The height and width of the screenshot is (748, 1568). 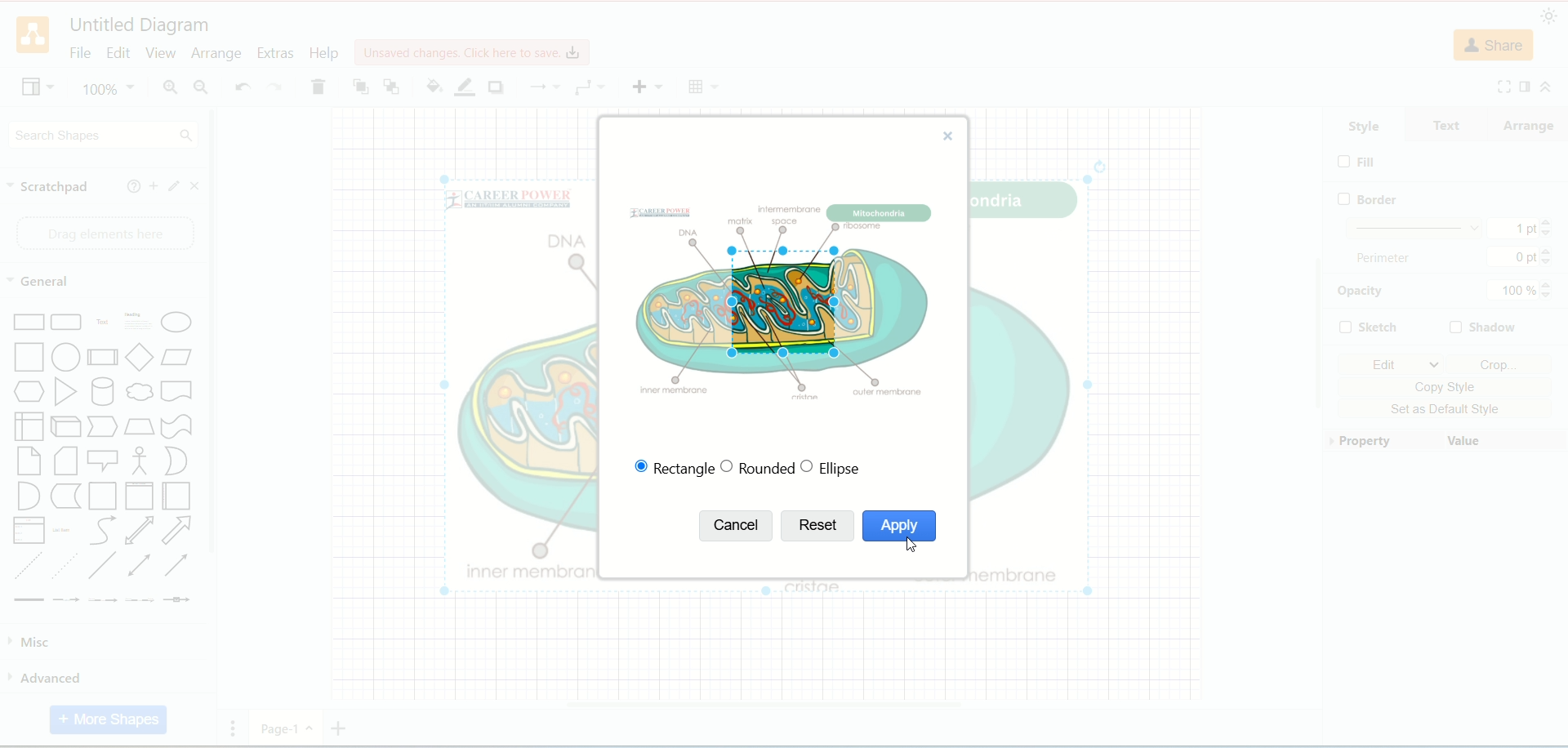 What do you see at coordinates (835, 468) in the screenshot?
I see `ellipse` at bounding box center [835, 468].